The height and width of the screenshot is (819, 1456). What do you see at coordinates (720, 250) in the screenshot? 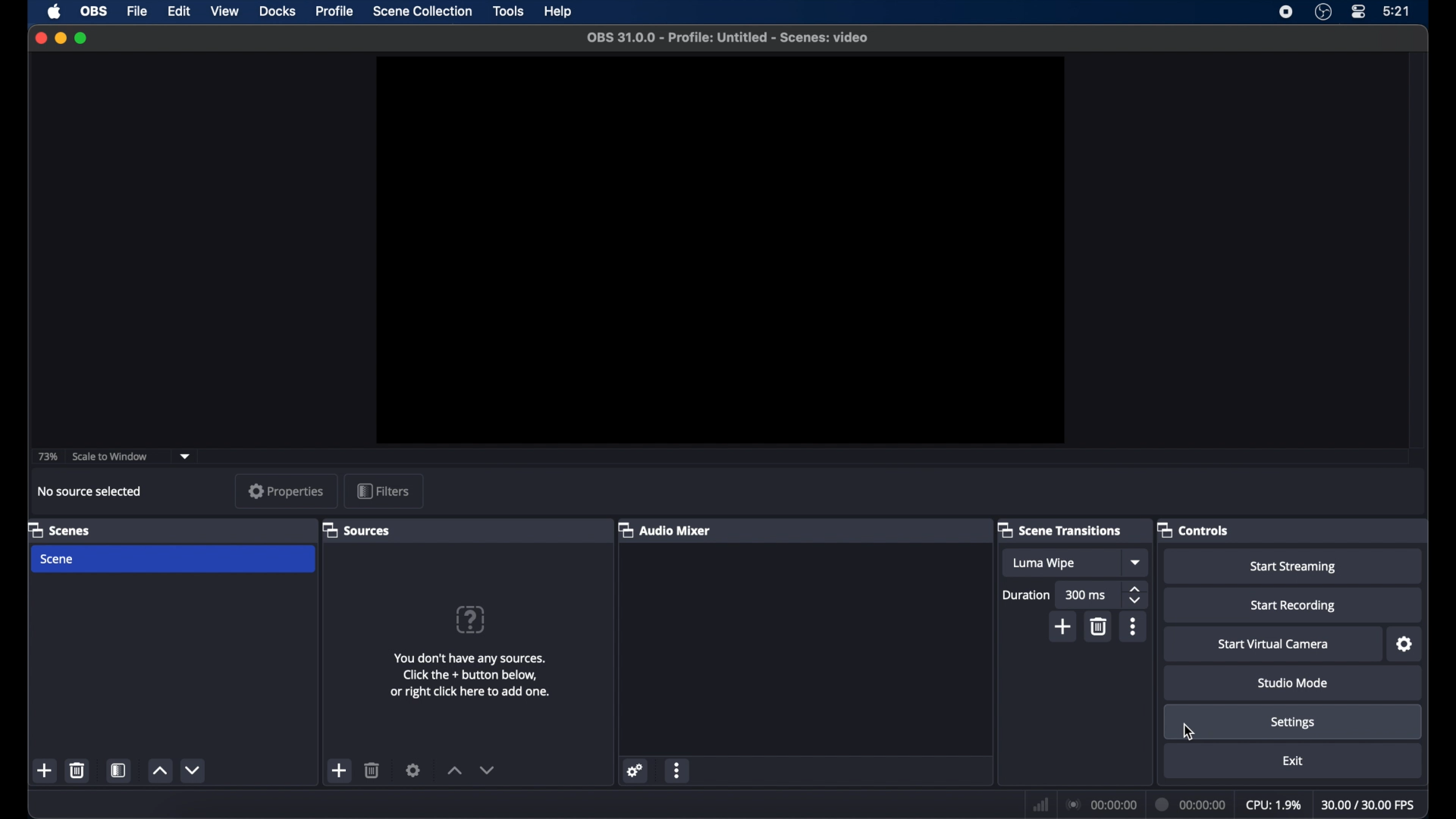
I see `preview` at bounding box center [720, 250].